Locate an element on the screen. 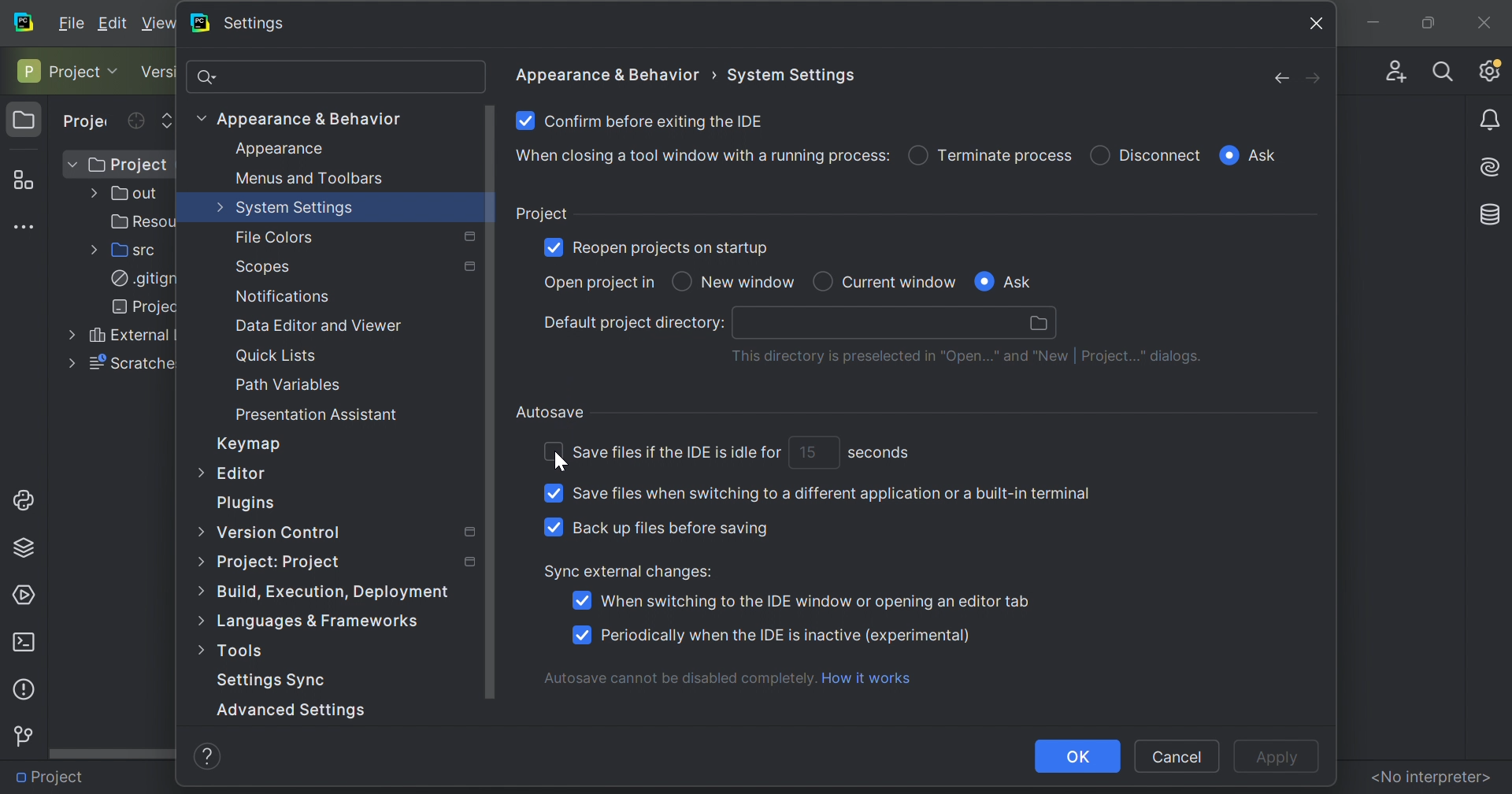 The height and width of the screenshot is (794, 1512). Checkbox is located at coordinates (1228, 155).